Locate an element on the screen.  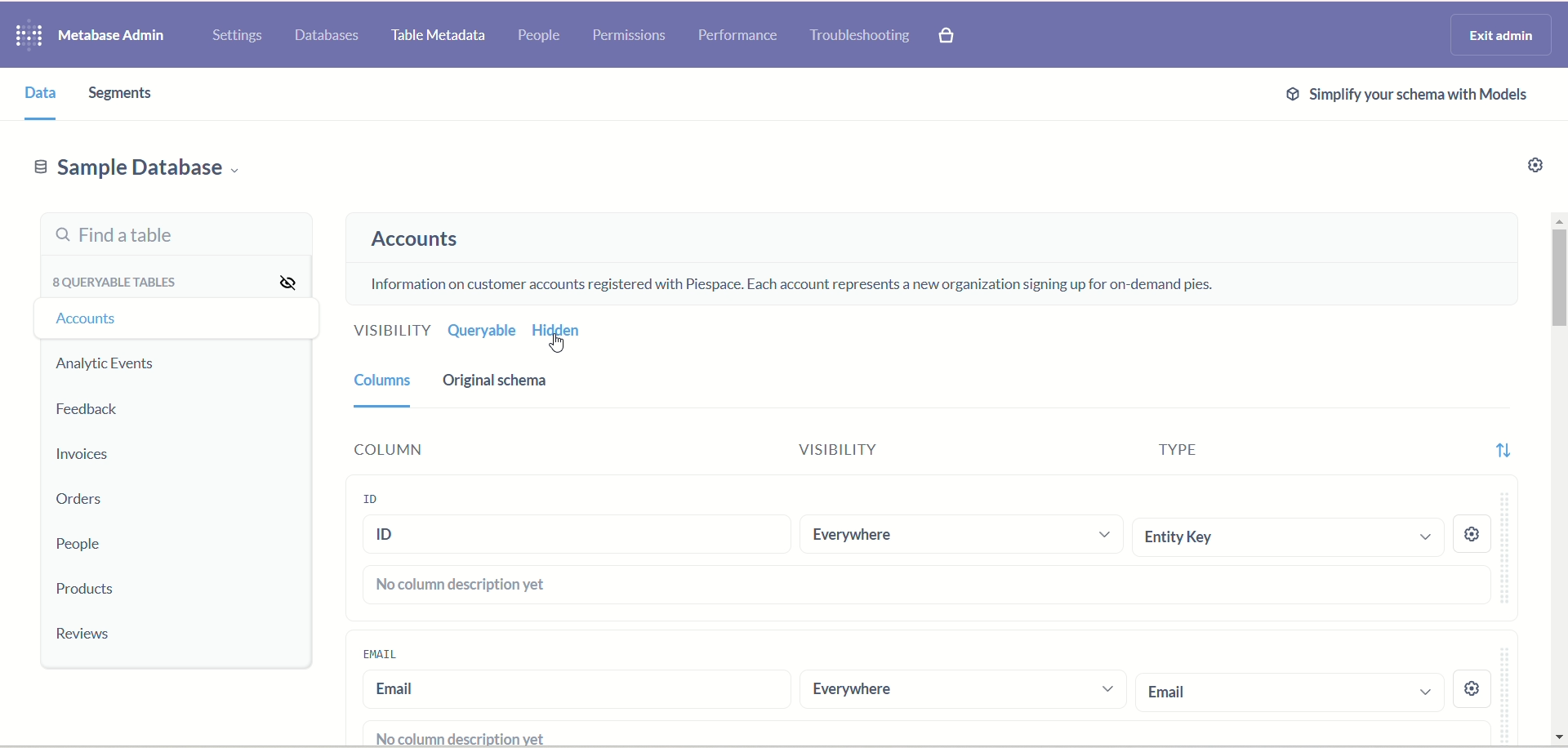
metabase logo is located at coordinates (27, 38).